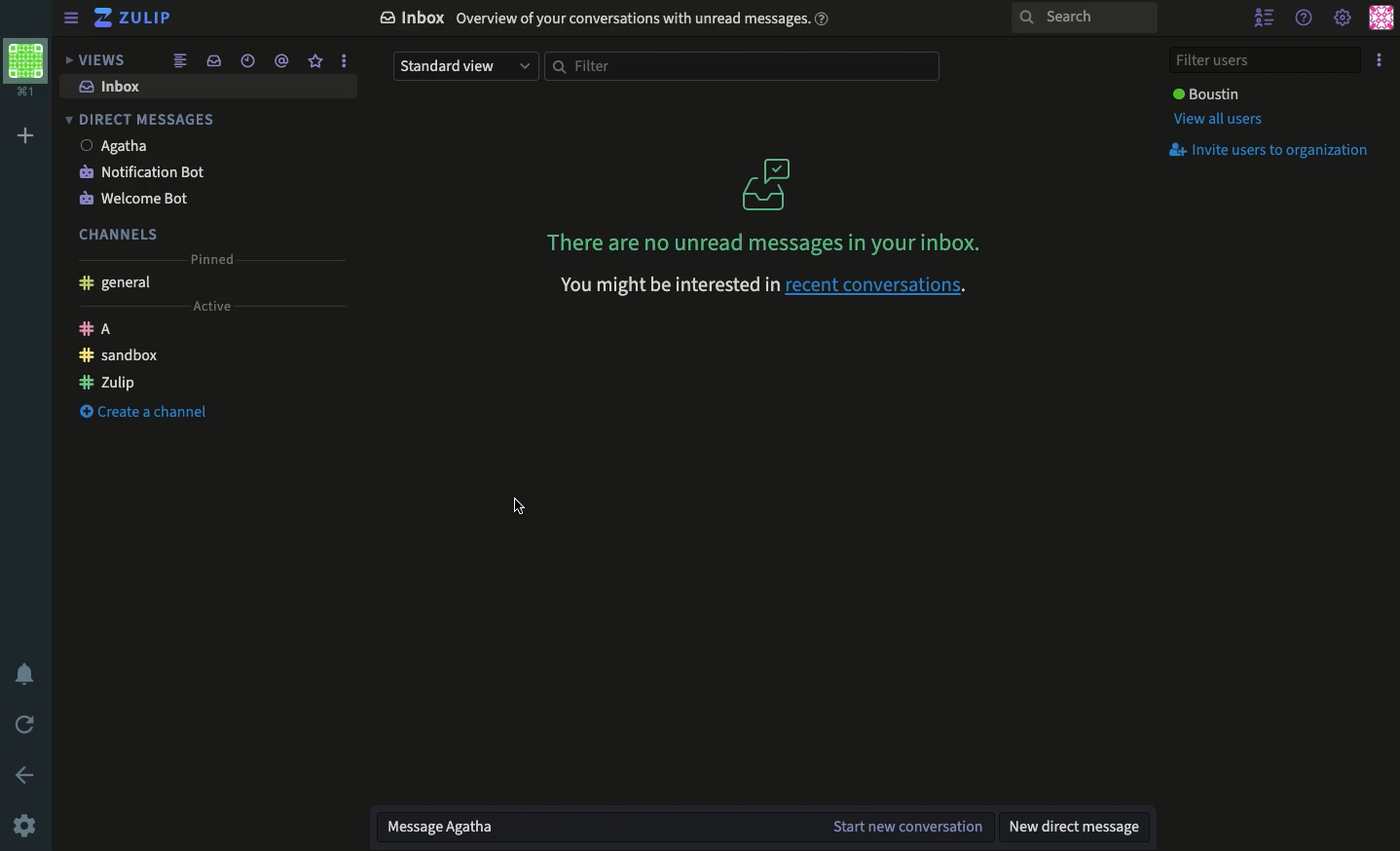 The width and height of the screenshot is (1400, 851). I want to click on User, so click(114, 147).